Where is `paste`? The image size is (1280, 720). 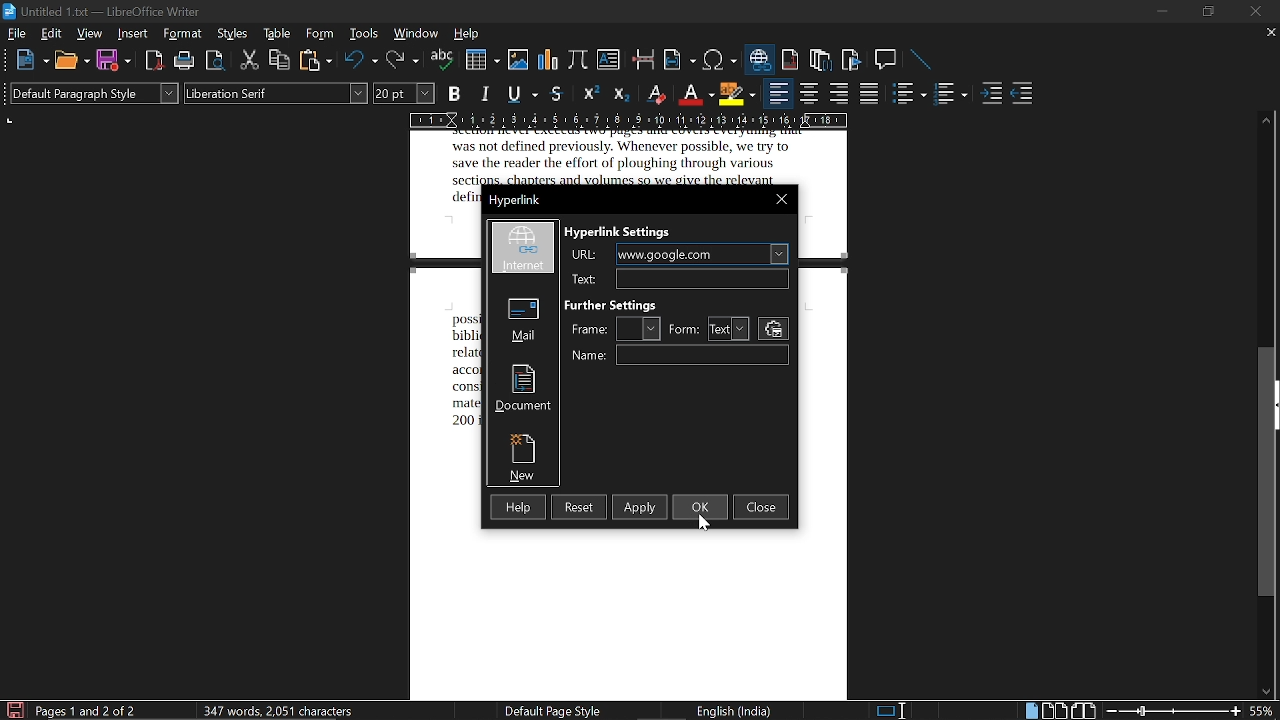 paste is located at coordinates (315, 61).